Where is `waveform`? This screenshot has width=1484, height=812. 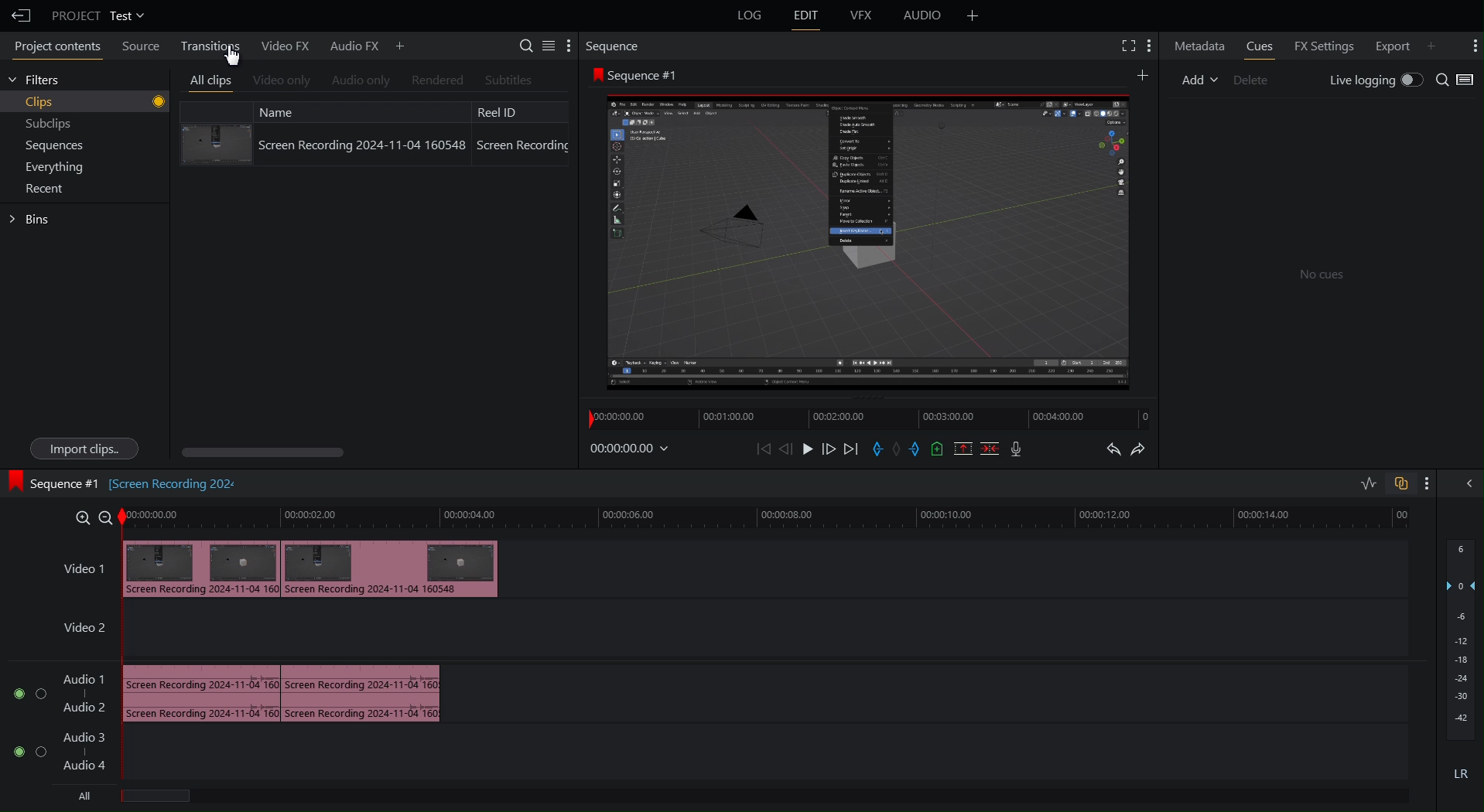
waveform is located at coordinates (1367, 482).